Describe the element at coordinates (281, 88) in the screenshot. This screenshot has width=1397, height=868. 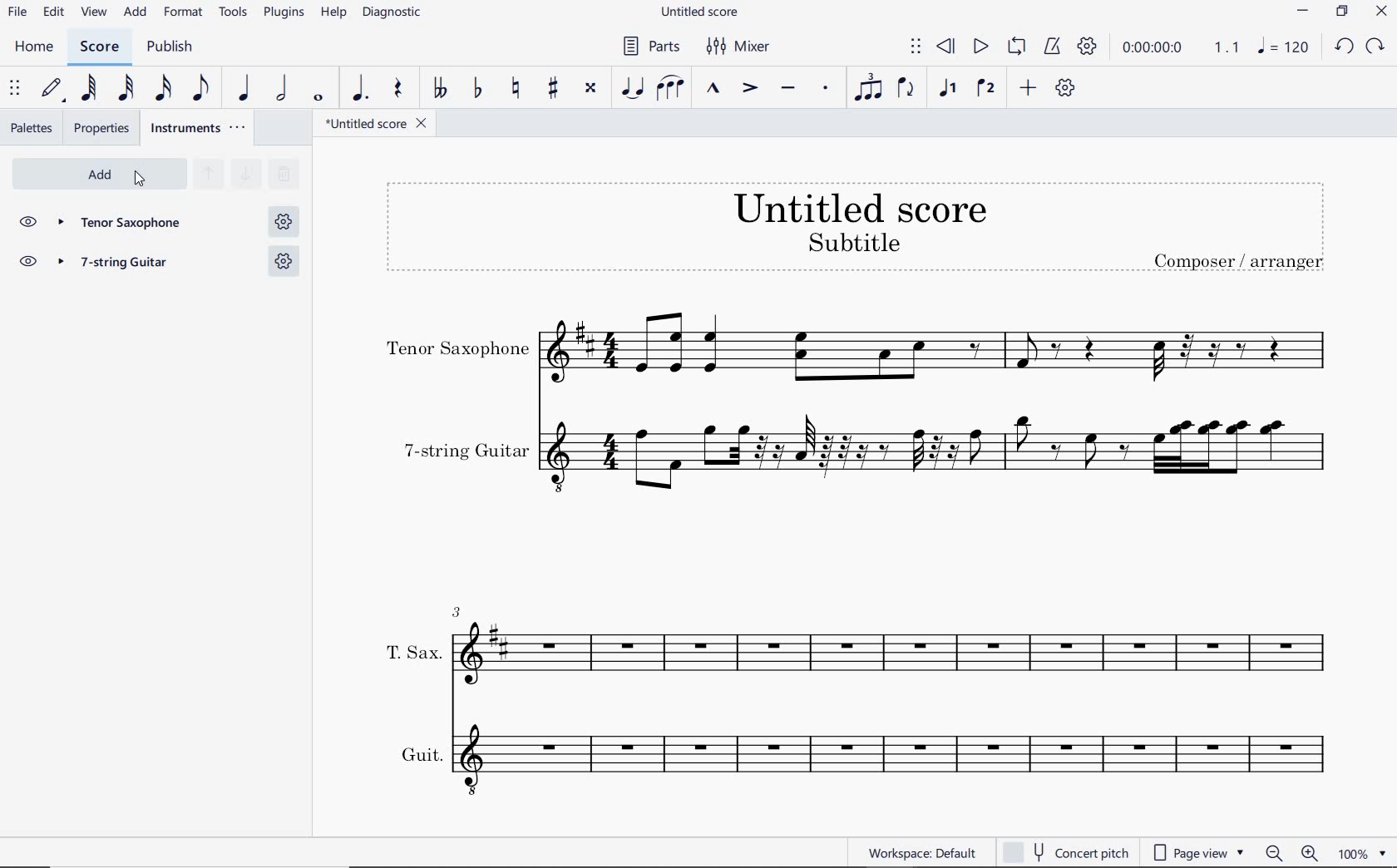
I see `HALF NOTE` at that location.